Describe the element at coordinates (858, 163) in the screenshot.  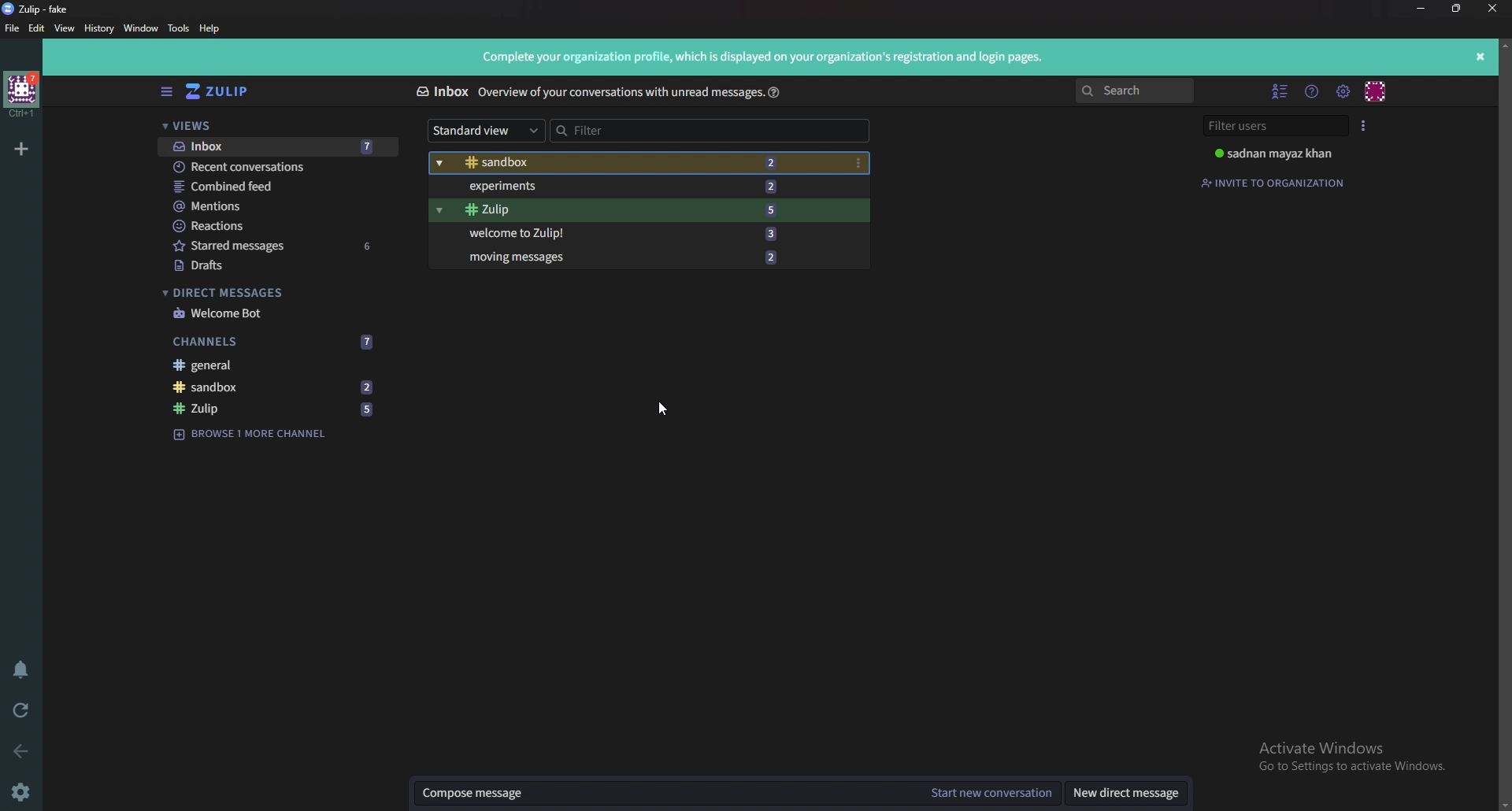
I see `Channel options` at that location.